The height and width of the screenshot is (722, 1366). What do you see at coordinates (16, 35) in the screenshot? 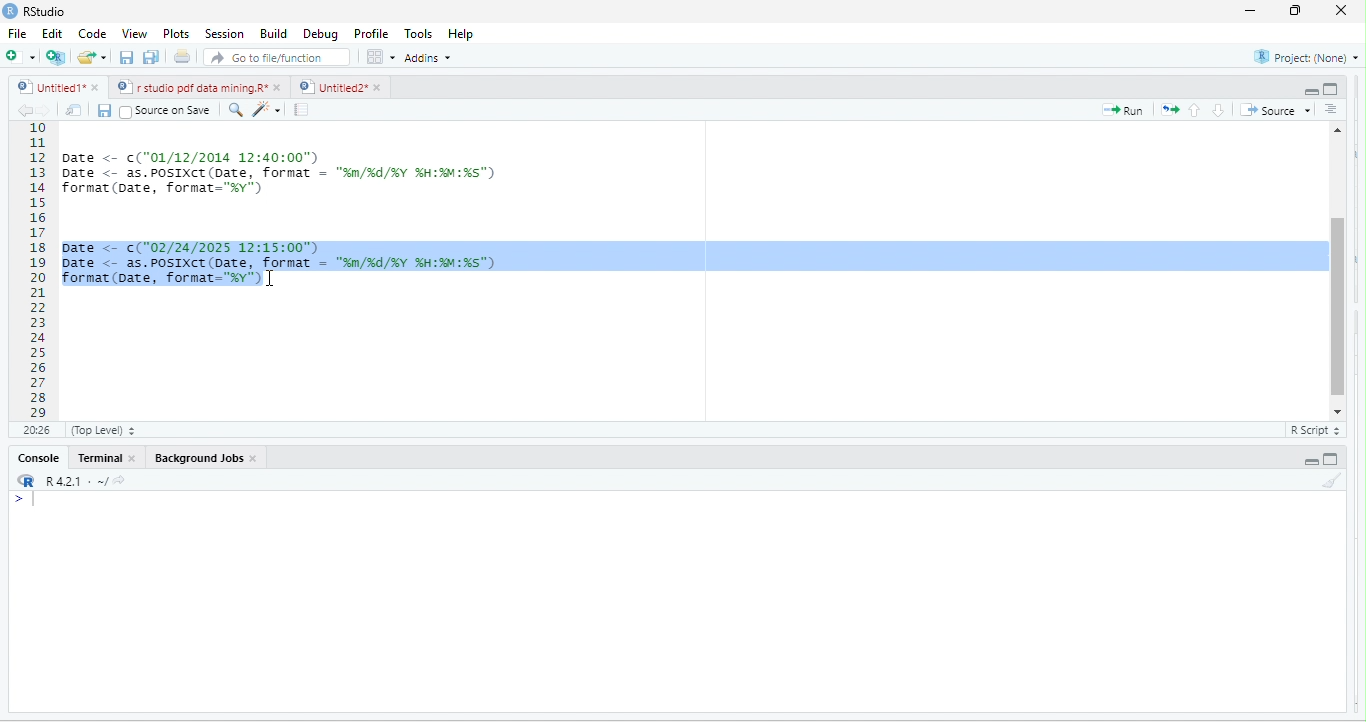
I see `File` at bounding box center [16, 35].